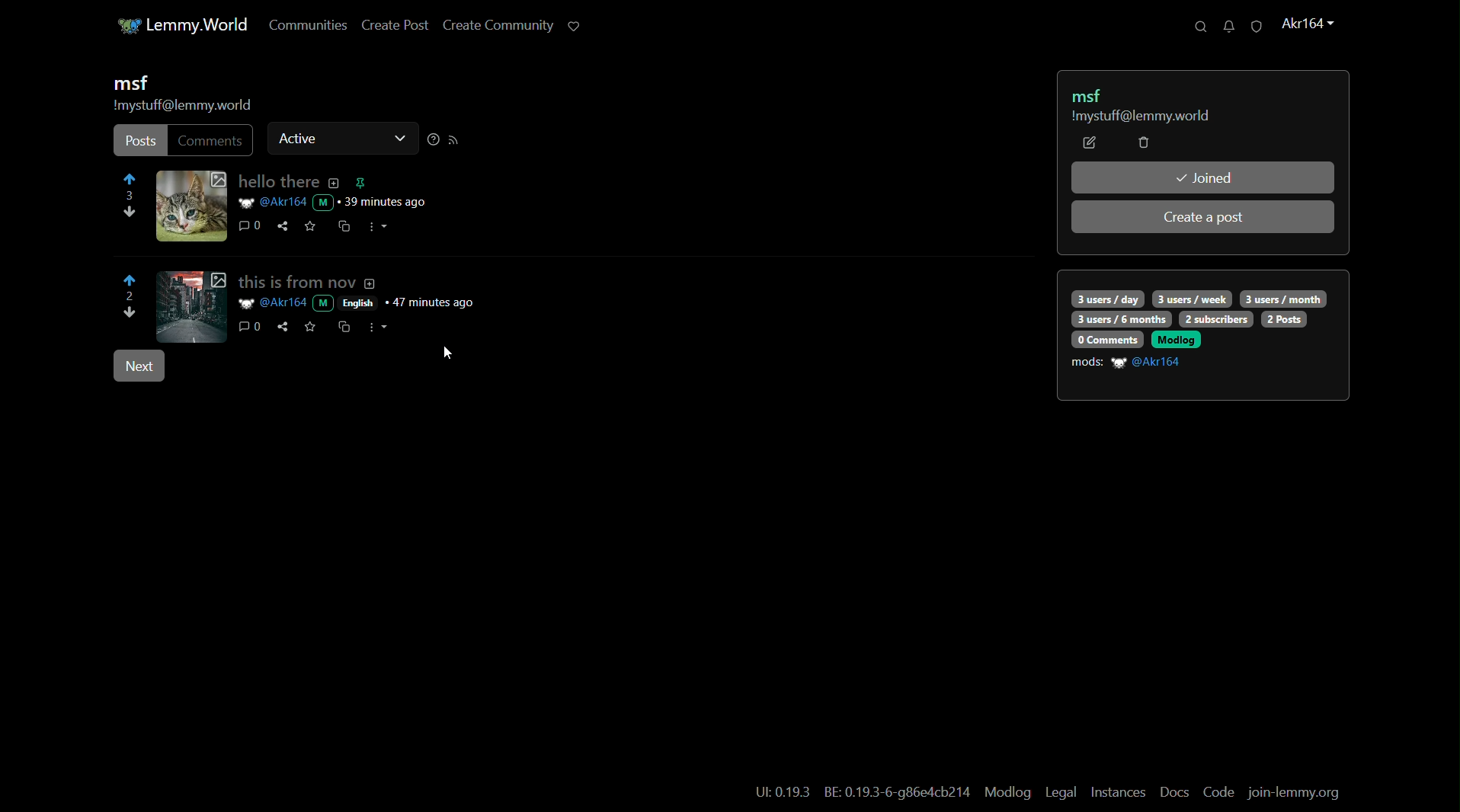 This screenshot has width=1460, height=812. I want to click on cursor, so click(447, 352).